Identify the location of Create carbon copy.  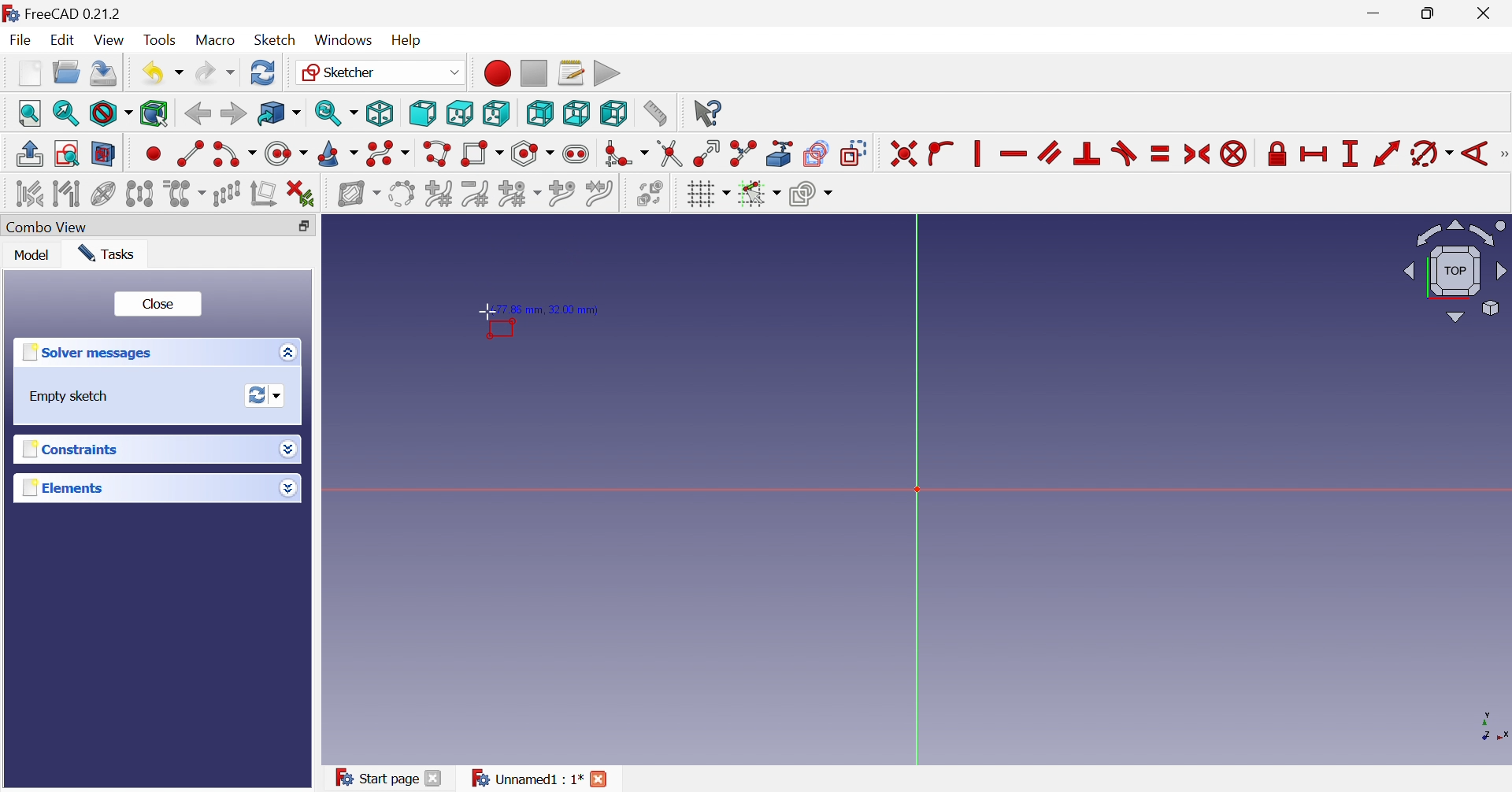
(816, 153).